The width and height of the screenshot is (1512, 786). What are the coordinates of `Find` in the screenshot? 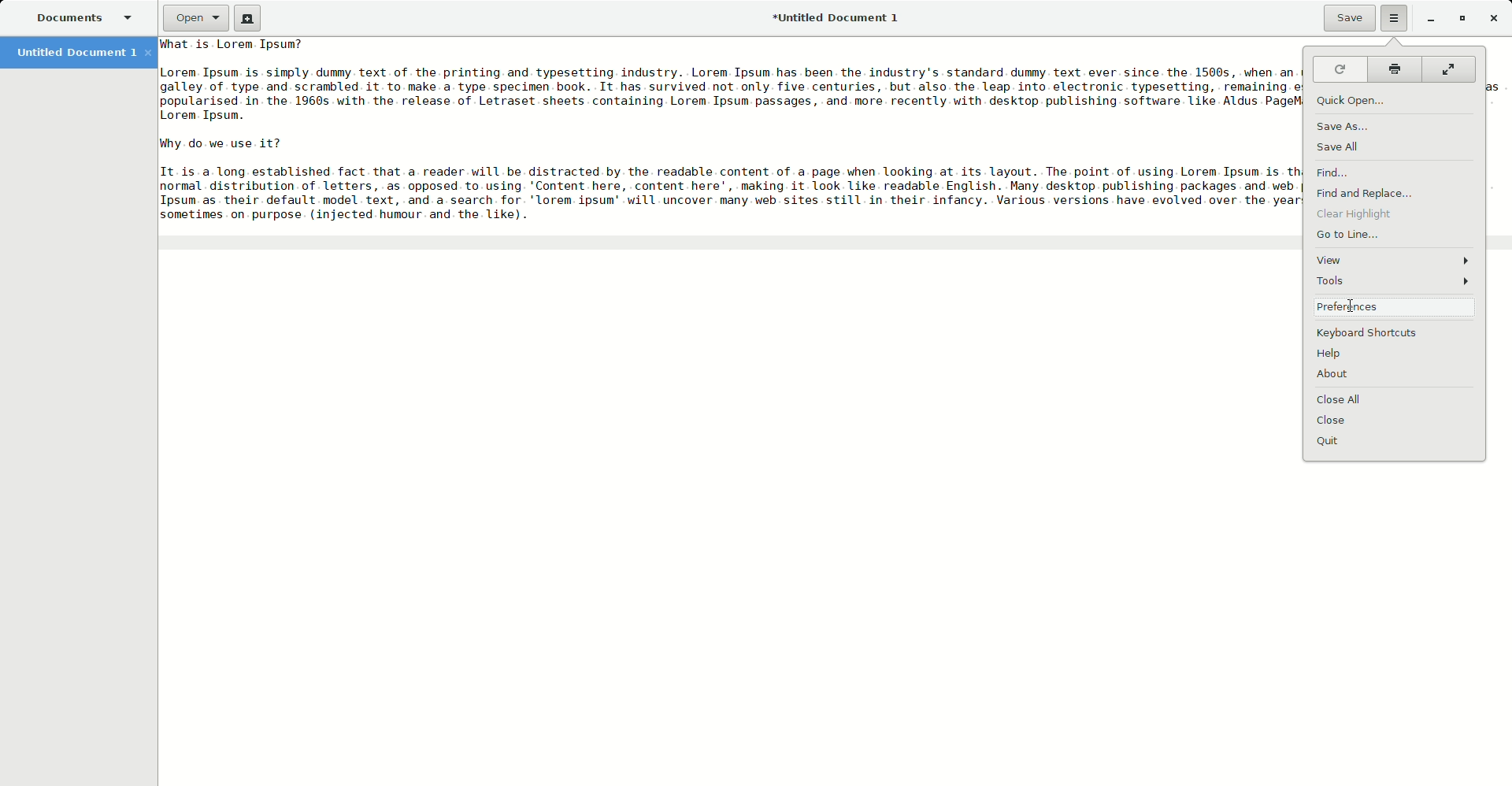 It's located at (1335, 172).